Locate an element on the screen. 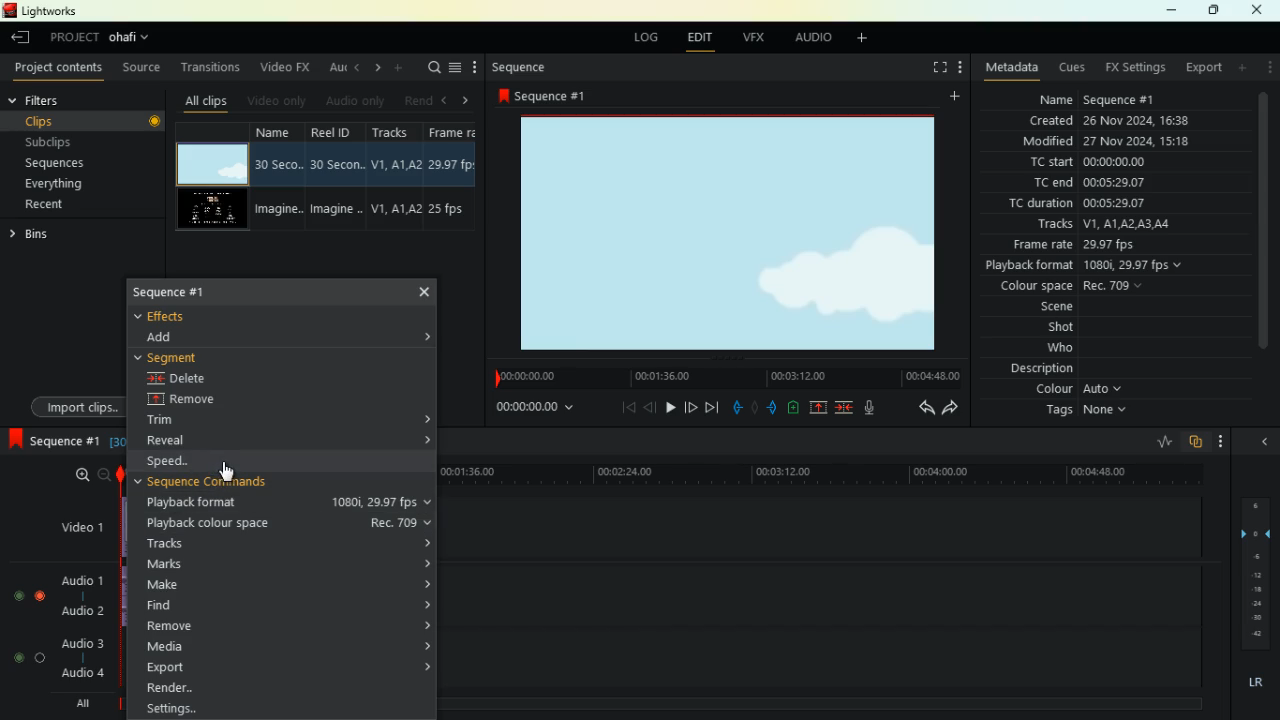  edit is located at coordinates (705, 40).